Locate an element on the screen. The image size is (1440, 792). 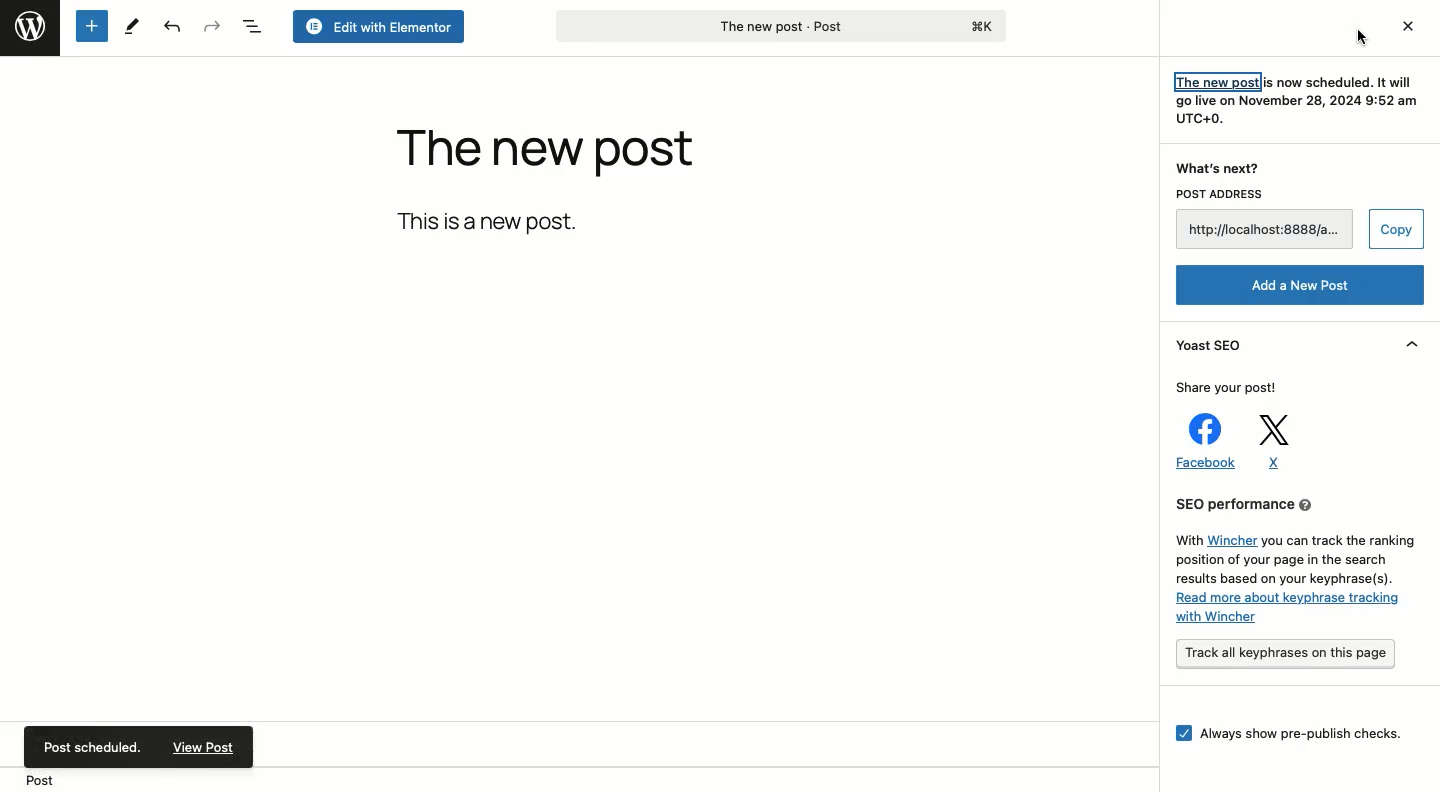
Wincher is located at coordinates (1233, 540).